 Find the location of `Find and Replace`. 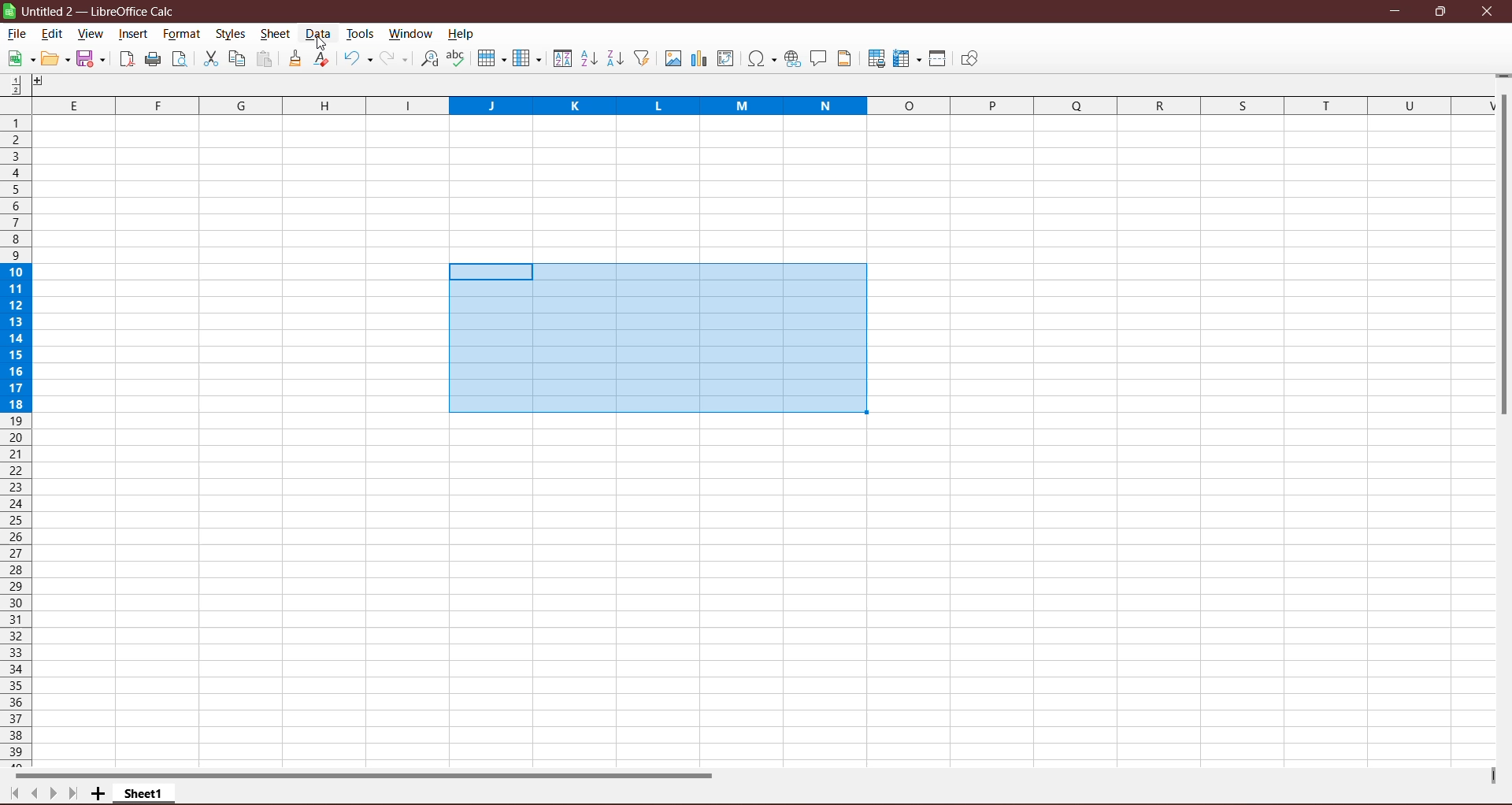

Find and Replace is located at coordinates (429, 58).